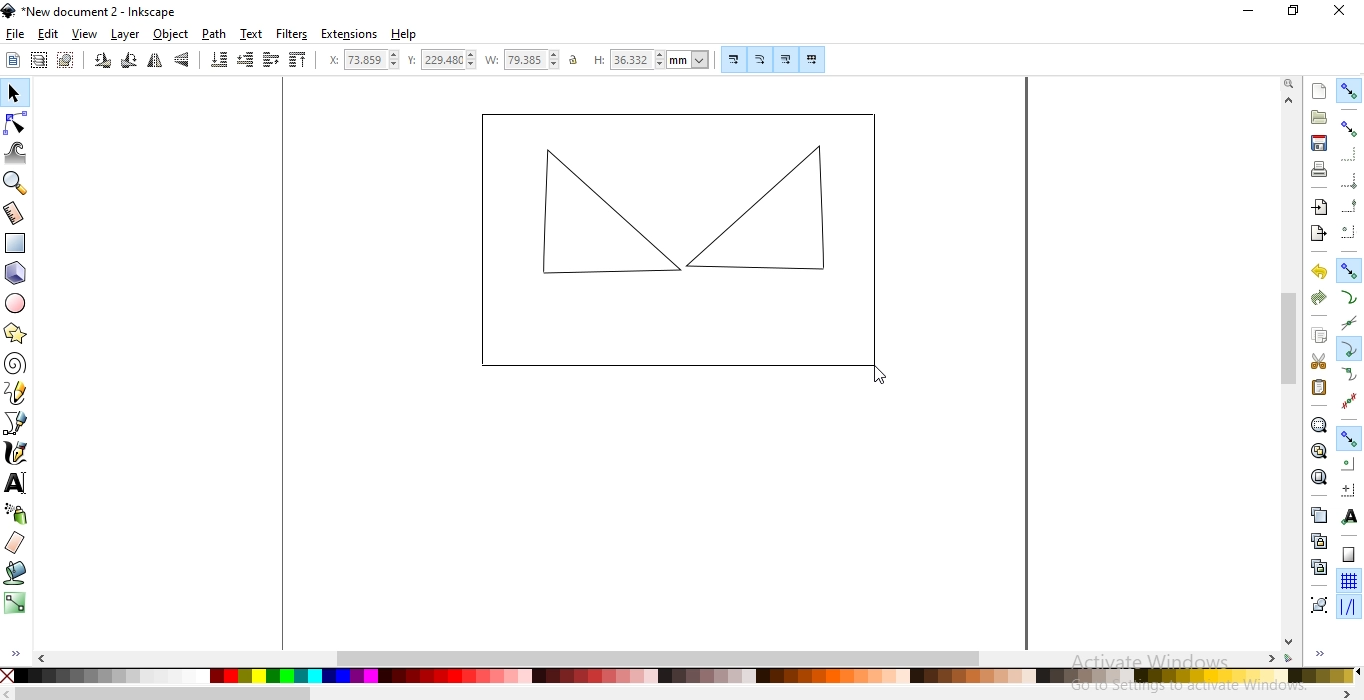  What do you see at coordinates (1349, 204) in the screenshot?
I see `snapping midpoints of bounding box edges` at bounding box center [1349, 204].